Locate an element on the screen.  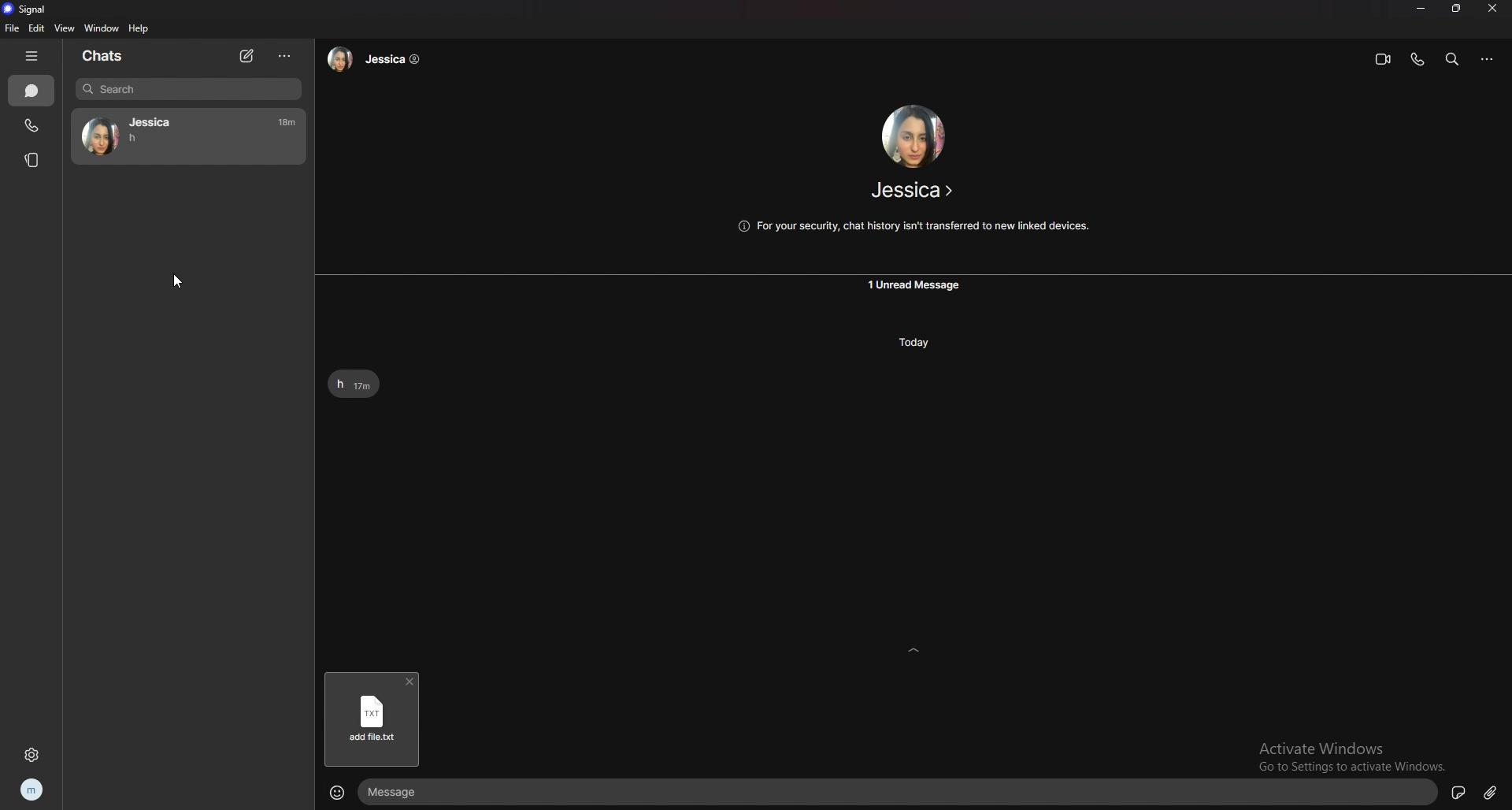
stories is located at coordinates (34, 159).